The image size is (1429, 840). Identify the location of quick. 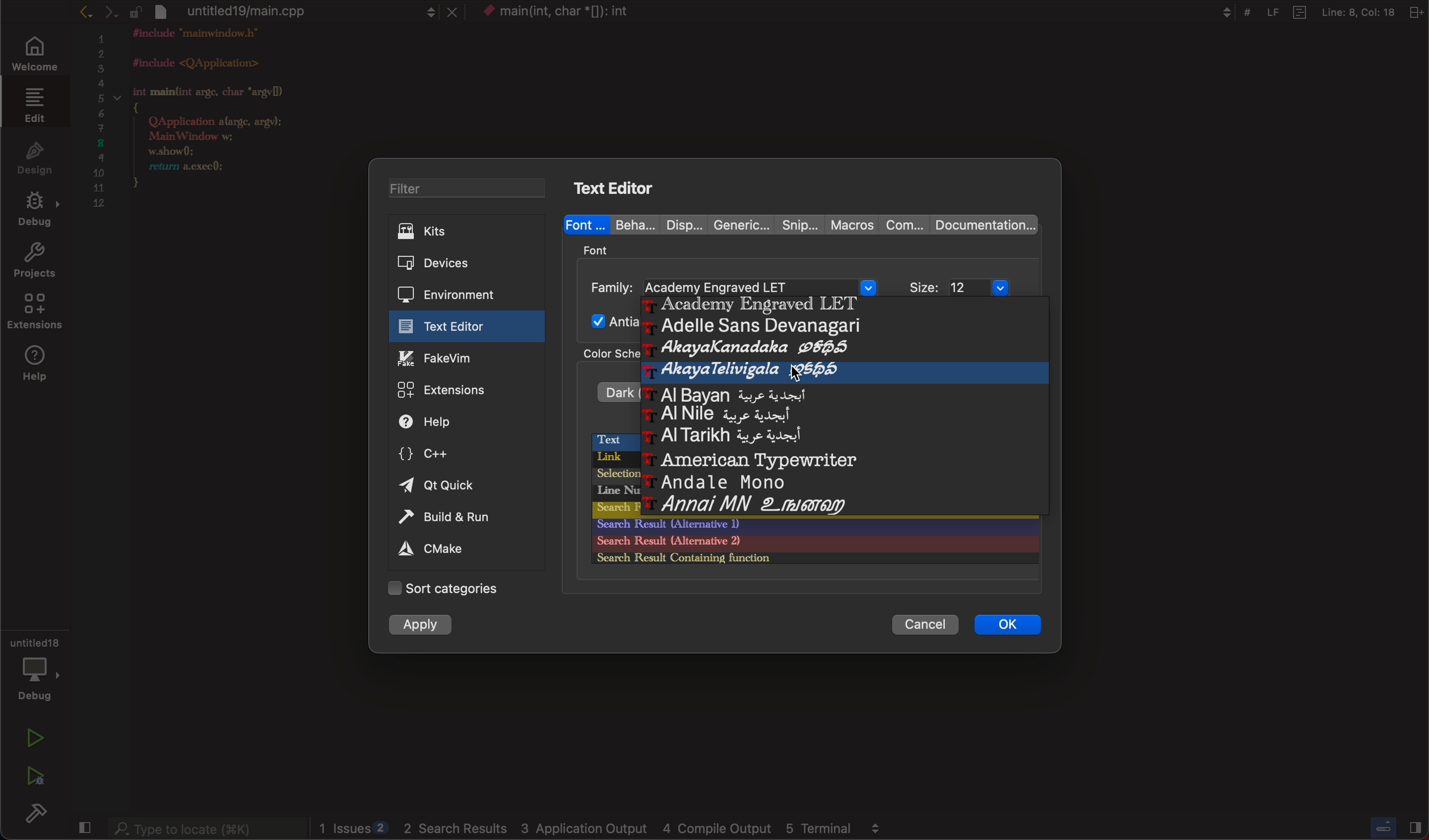
(441, 486).